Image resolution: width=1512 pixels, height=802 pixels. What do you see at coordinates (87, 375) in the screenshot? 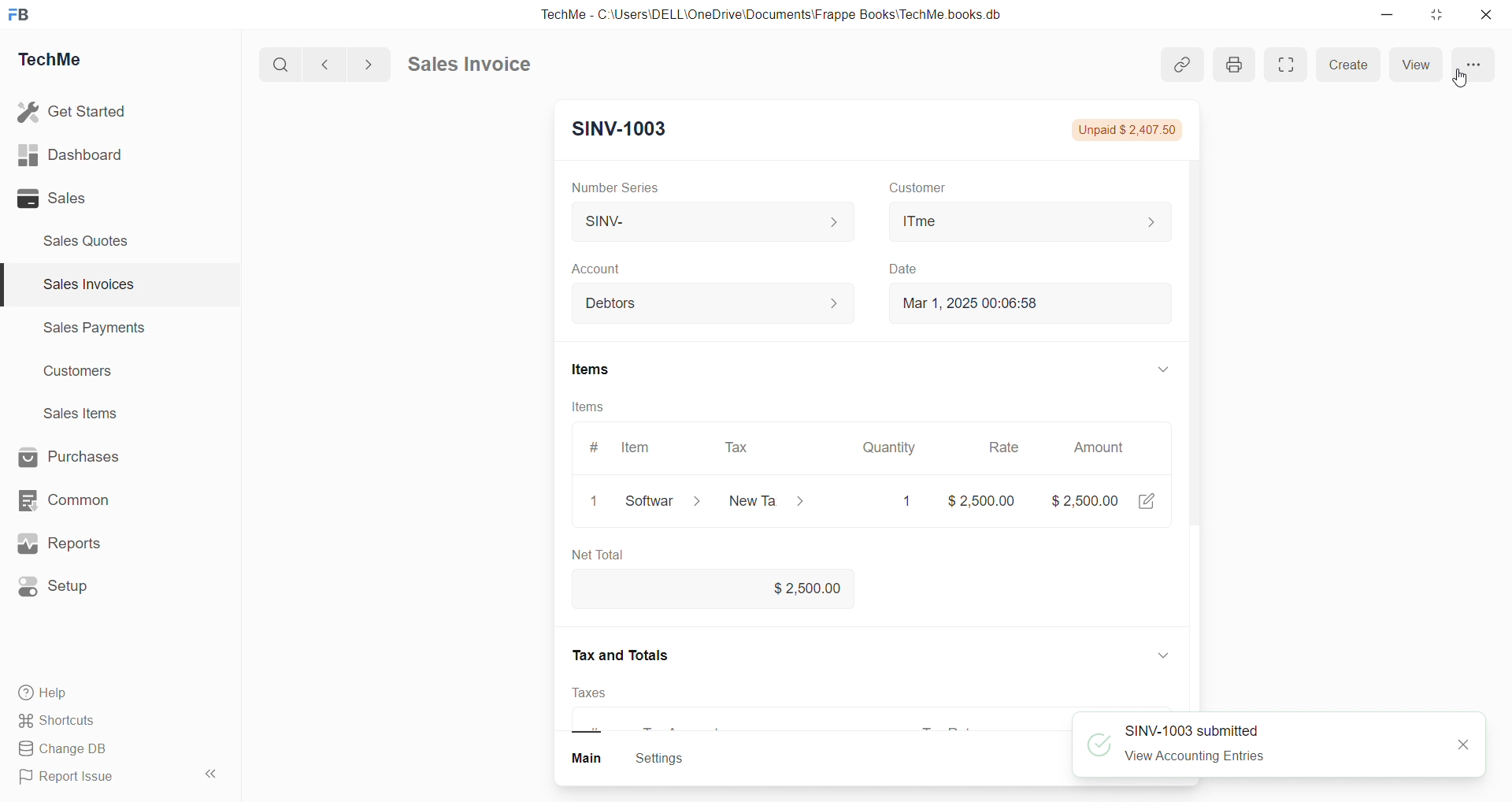
I see `Customers` at bounding box center [87, 375].